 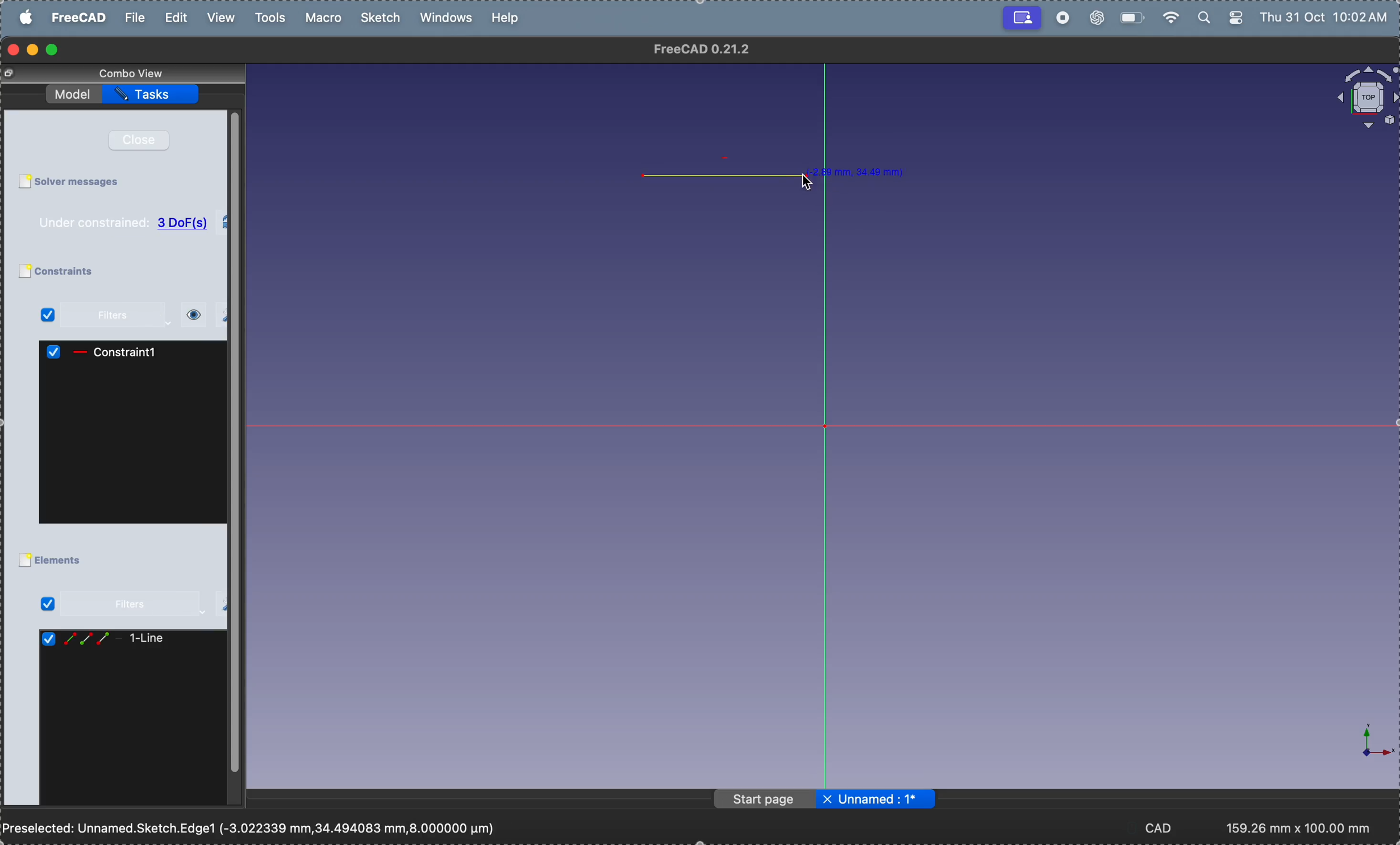 I want to click on Change view, so click(x=12, y=74).